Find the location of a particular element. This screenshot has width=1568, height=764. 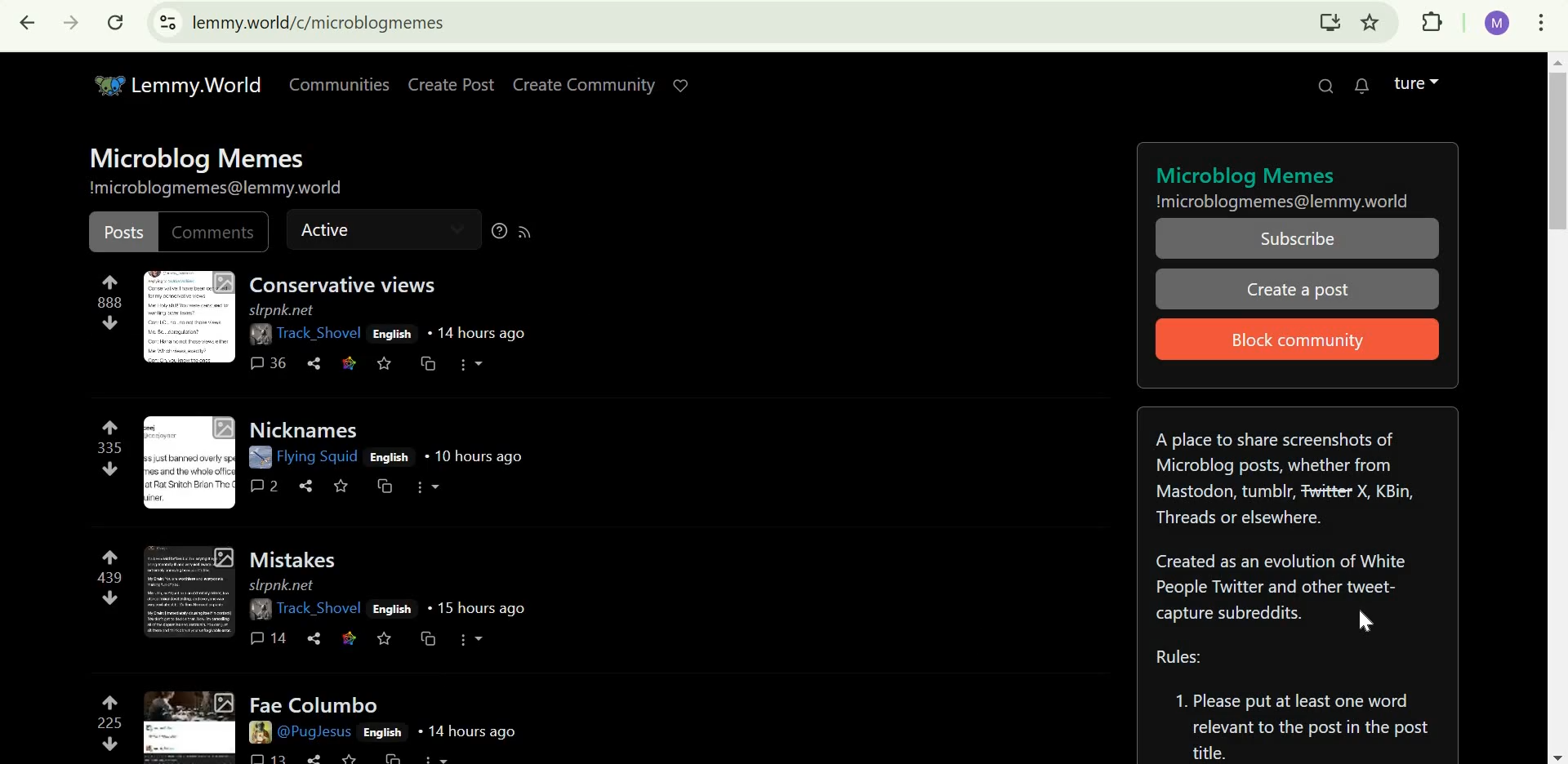

!microblogmemes@lemmy.world is located at coordinates (1283, 202).